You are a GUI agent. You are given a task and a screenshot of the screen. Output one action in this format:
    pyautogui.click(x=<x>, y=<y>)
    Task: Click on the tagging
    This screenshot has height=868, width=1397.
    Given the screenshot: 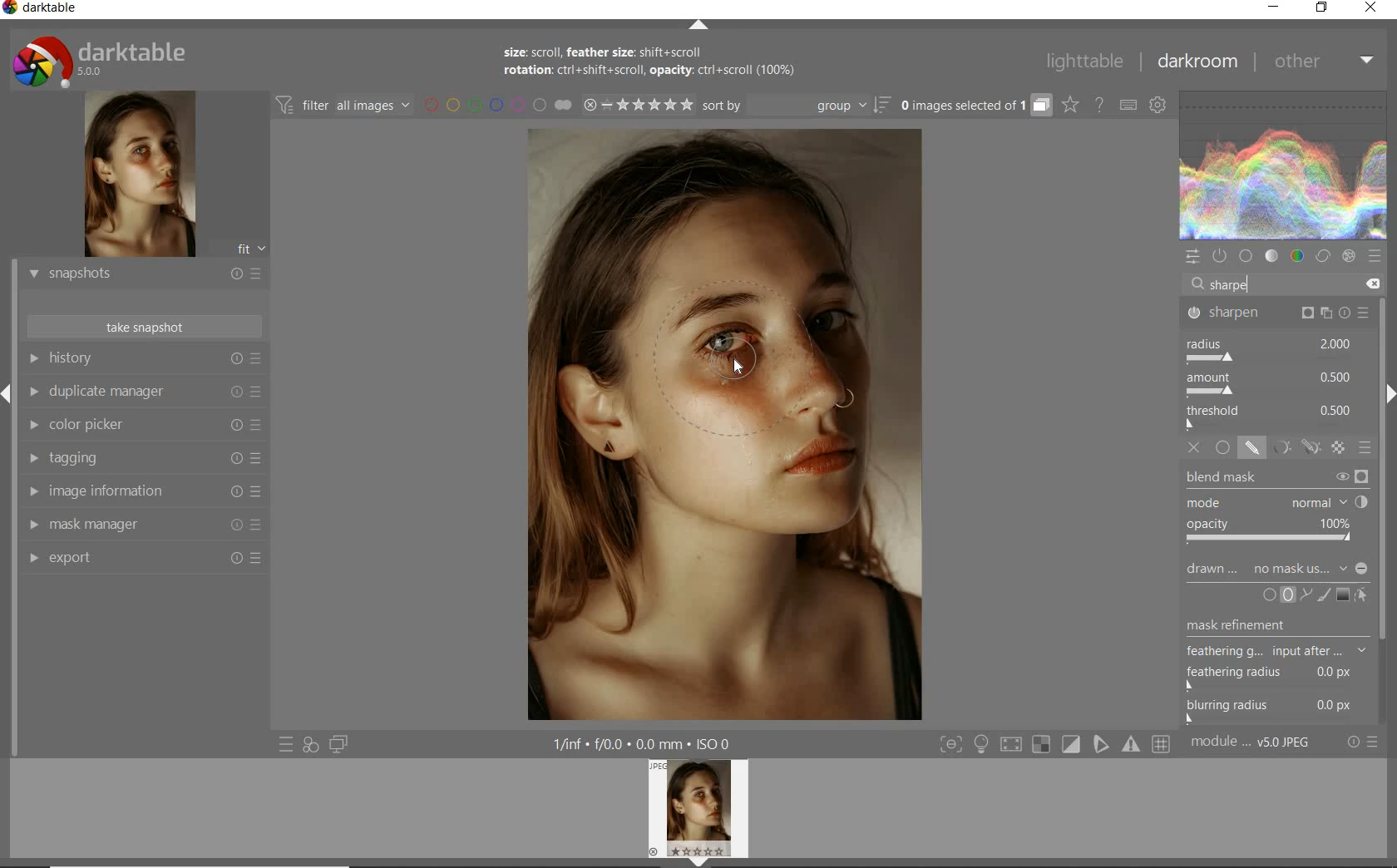 What is the action you would take?
    pyautogui.click(x=141, y=459)
    